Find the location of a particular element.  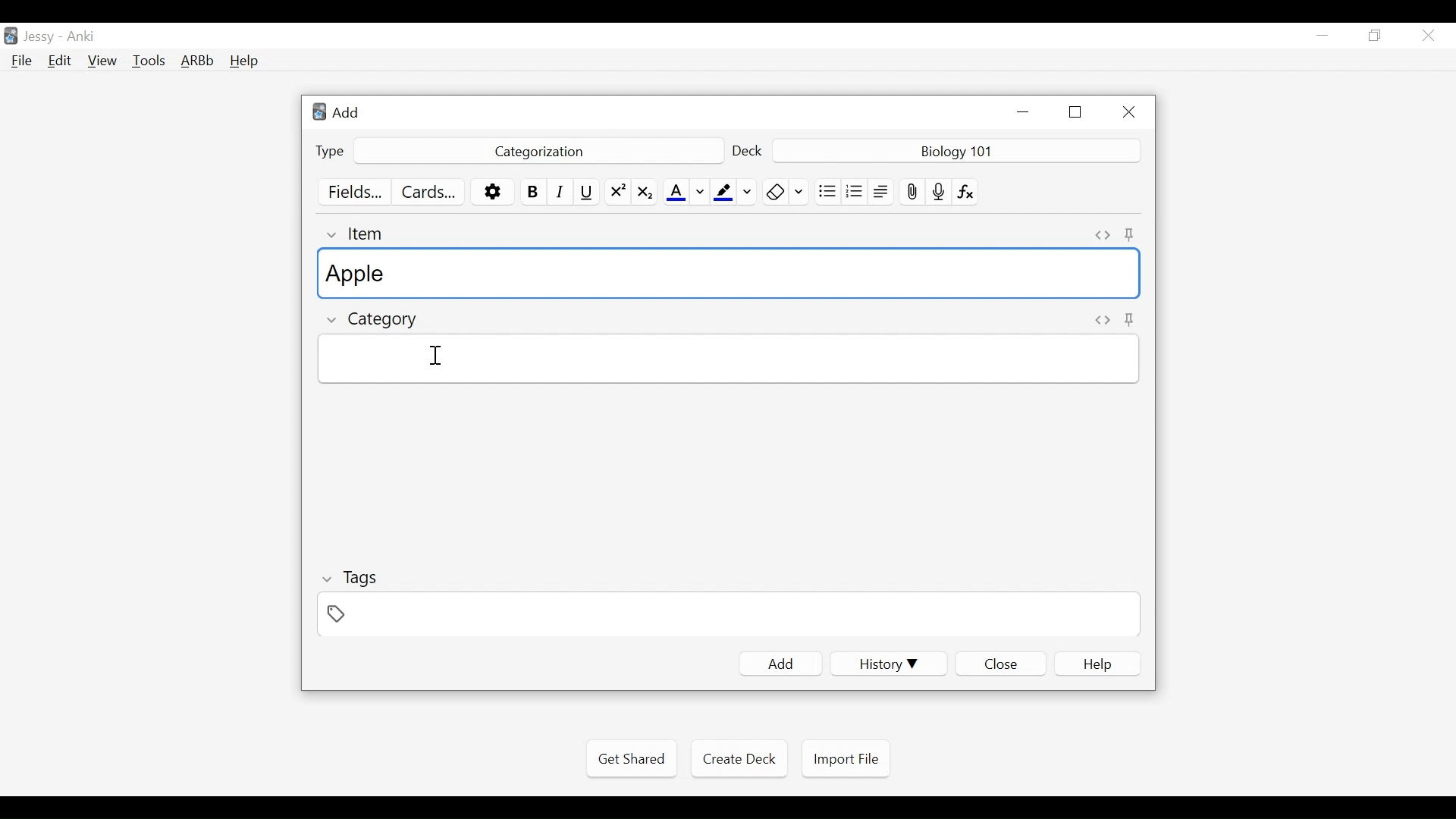

Toggle HTML Editor is located at coordinates (1103, 235).